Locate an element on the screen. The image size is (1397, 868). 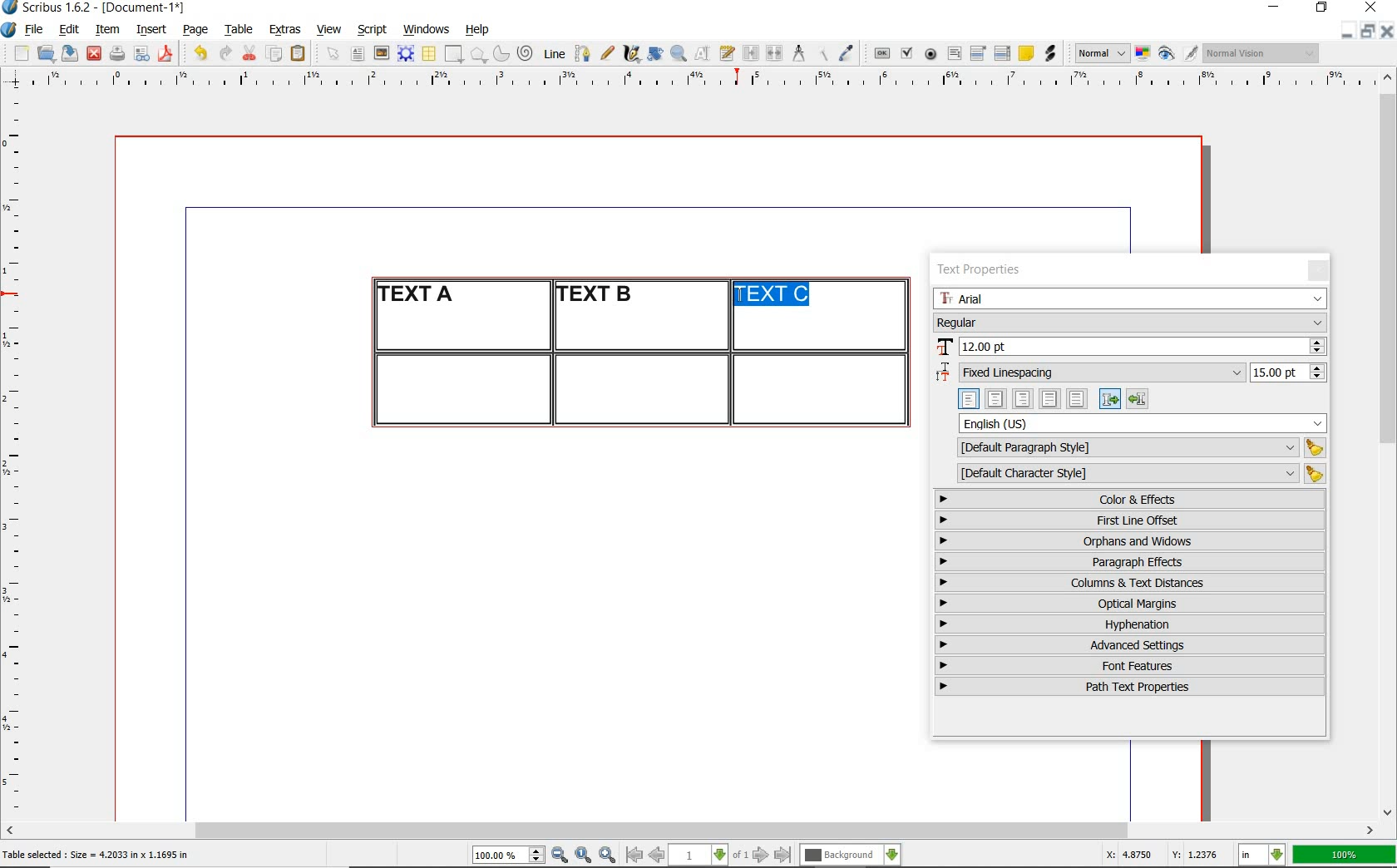
go to next page is located at coordinates (761, 856).